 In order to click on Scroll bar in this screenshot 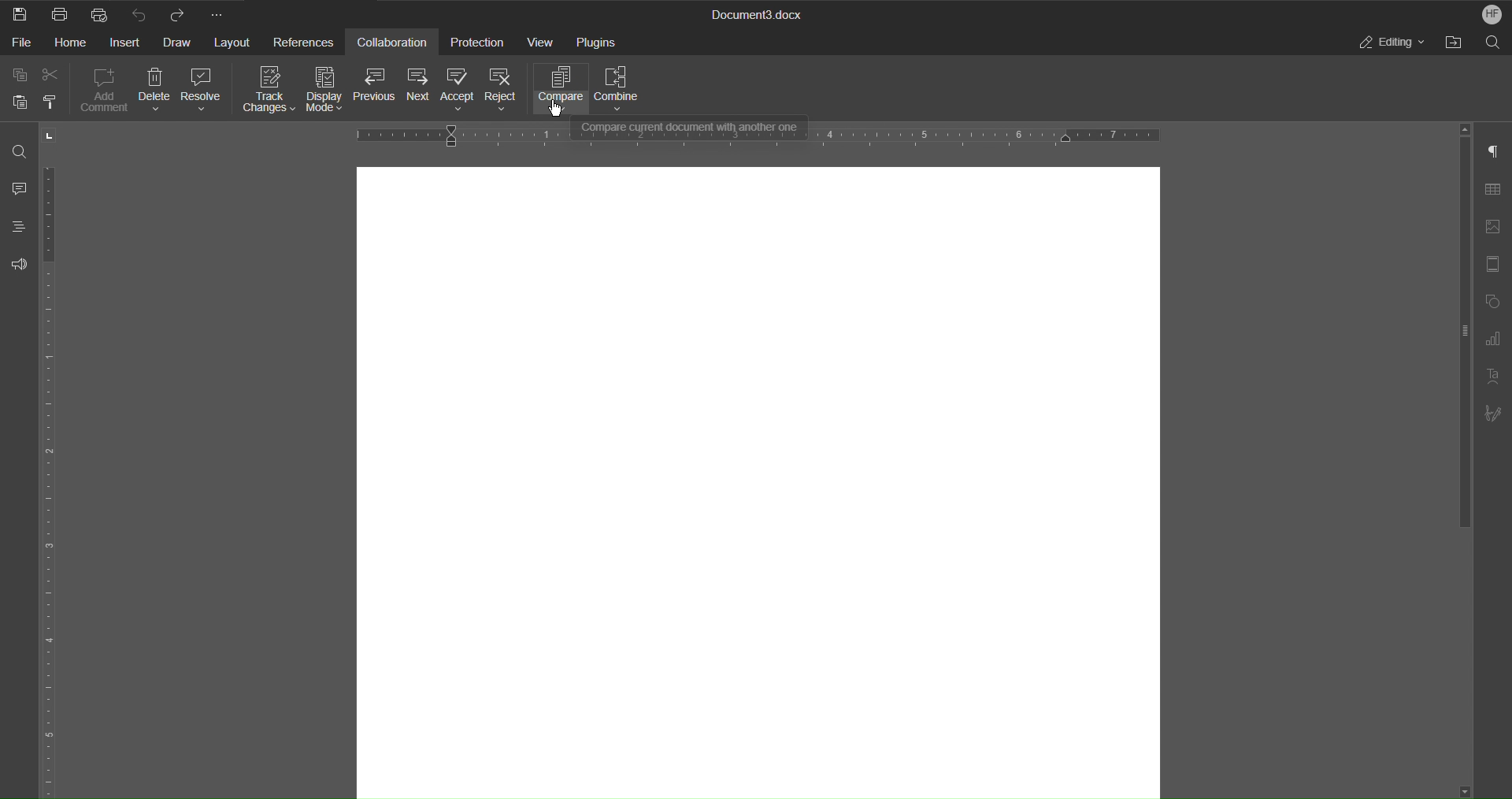, I will do `click(1458, 341)`.